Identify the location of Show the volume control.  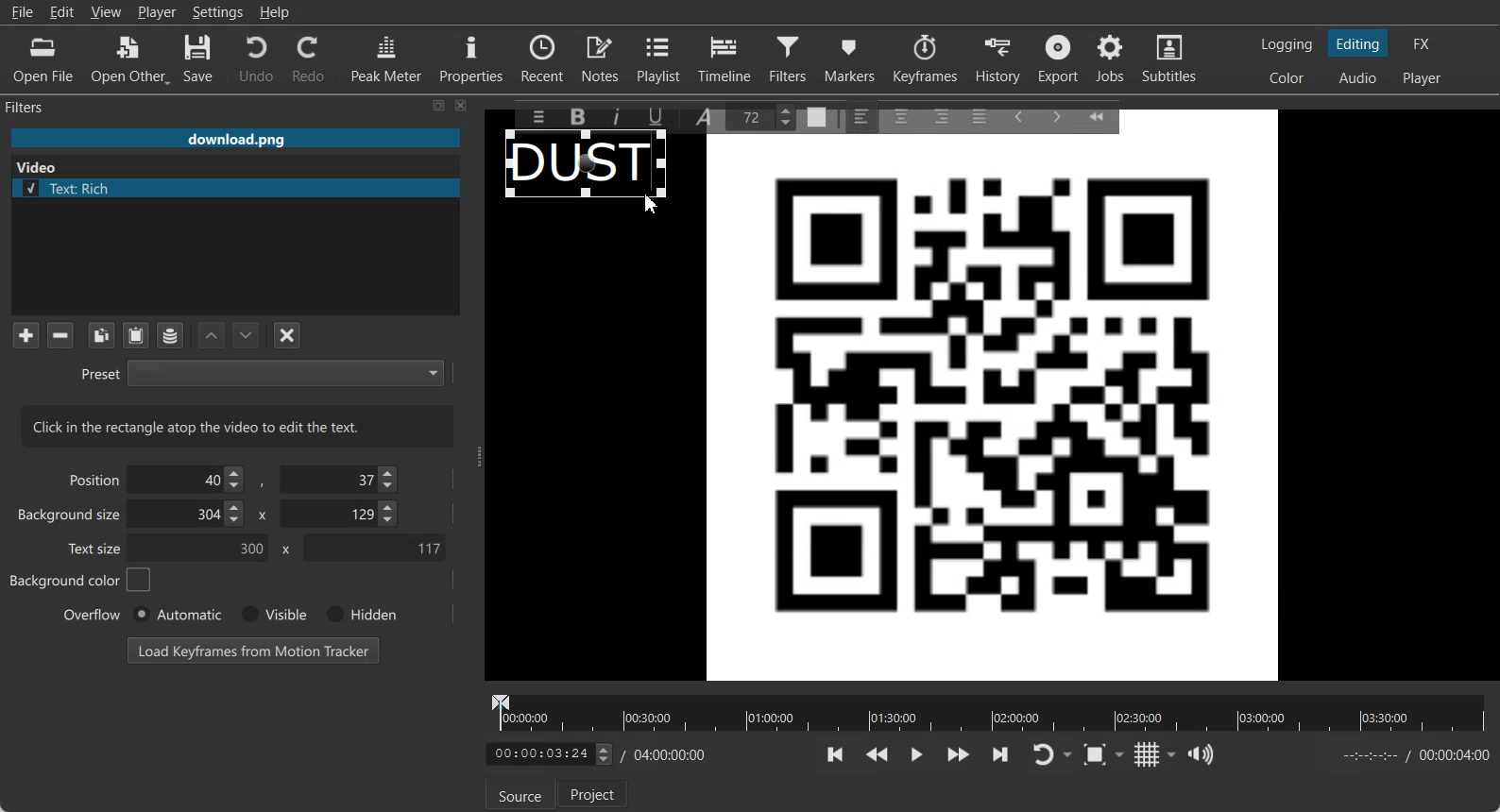
(1201, 755).